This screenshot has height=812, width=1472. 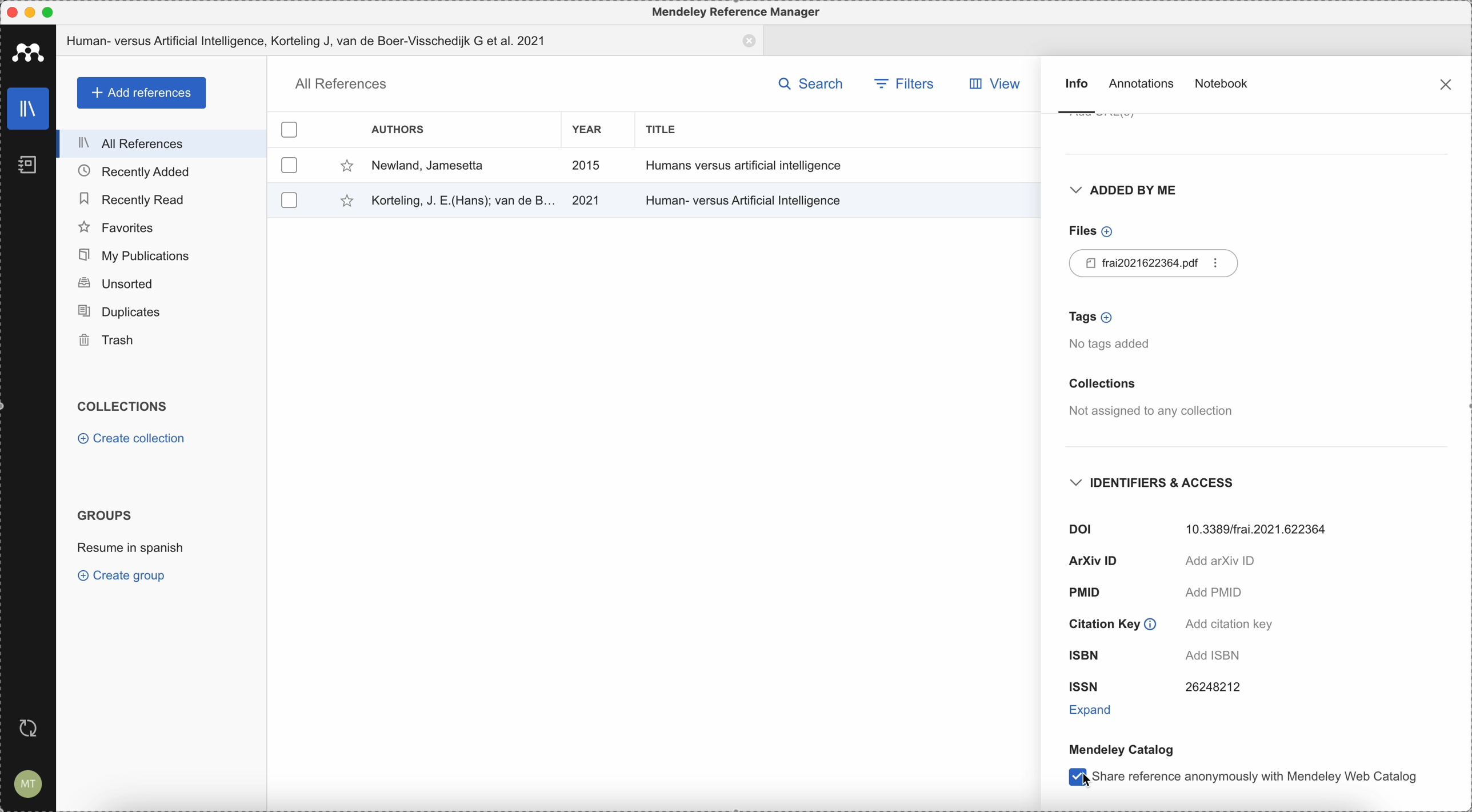 What do you see at coordinates (903, 82) in the screenshot?
I see `filters` at bounding box center [903, 82].